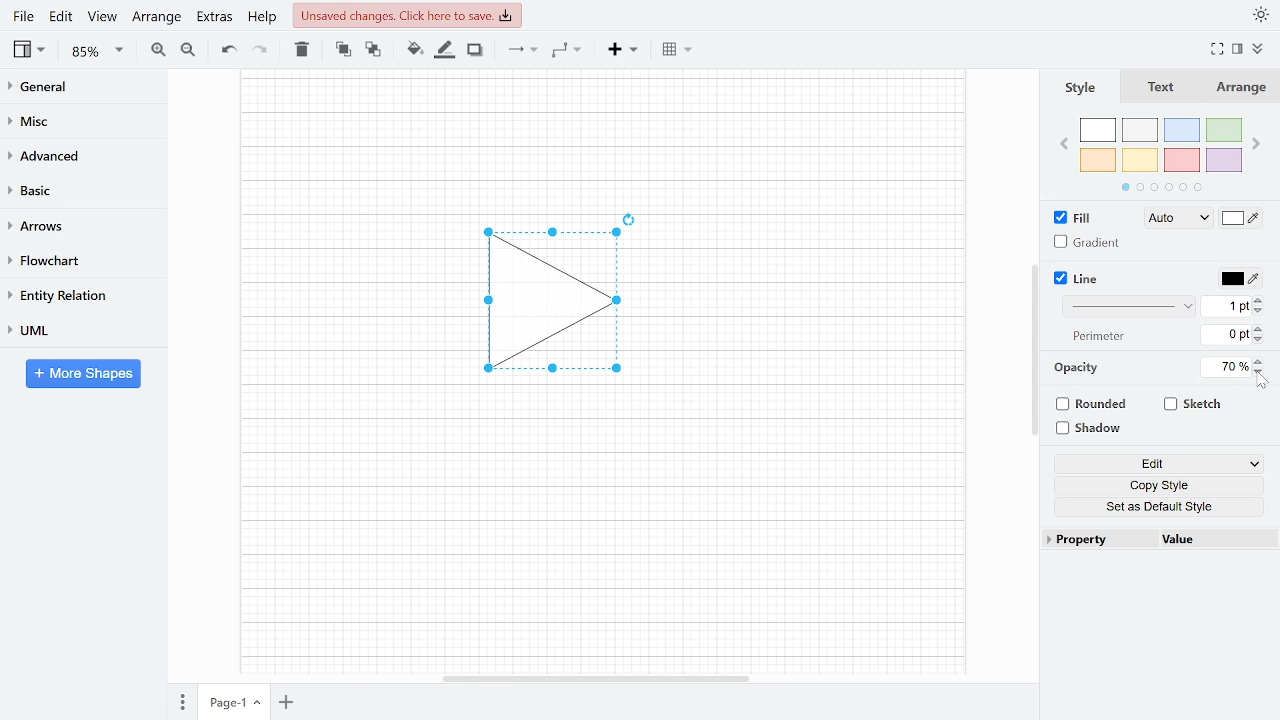  Describe the element at coordinates (343, 302) in the screenshot. I see `workspace` at that location.